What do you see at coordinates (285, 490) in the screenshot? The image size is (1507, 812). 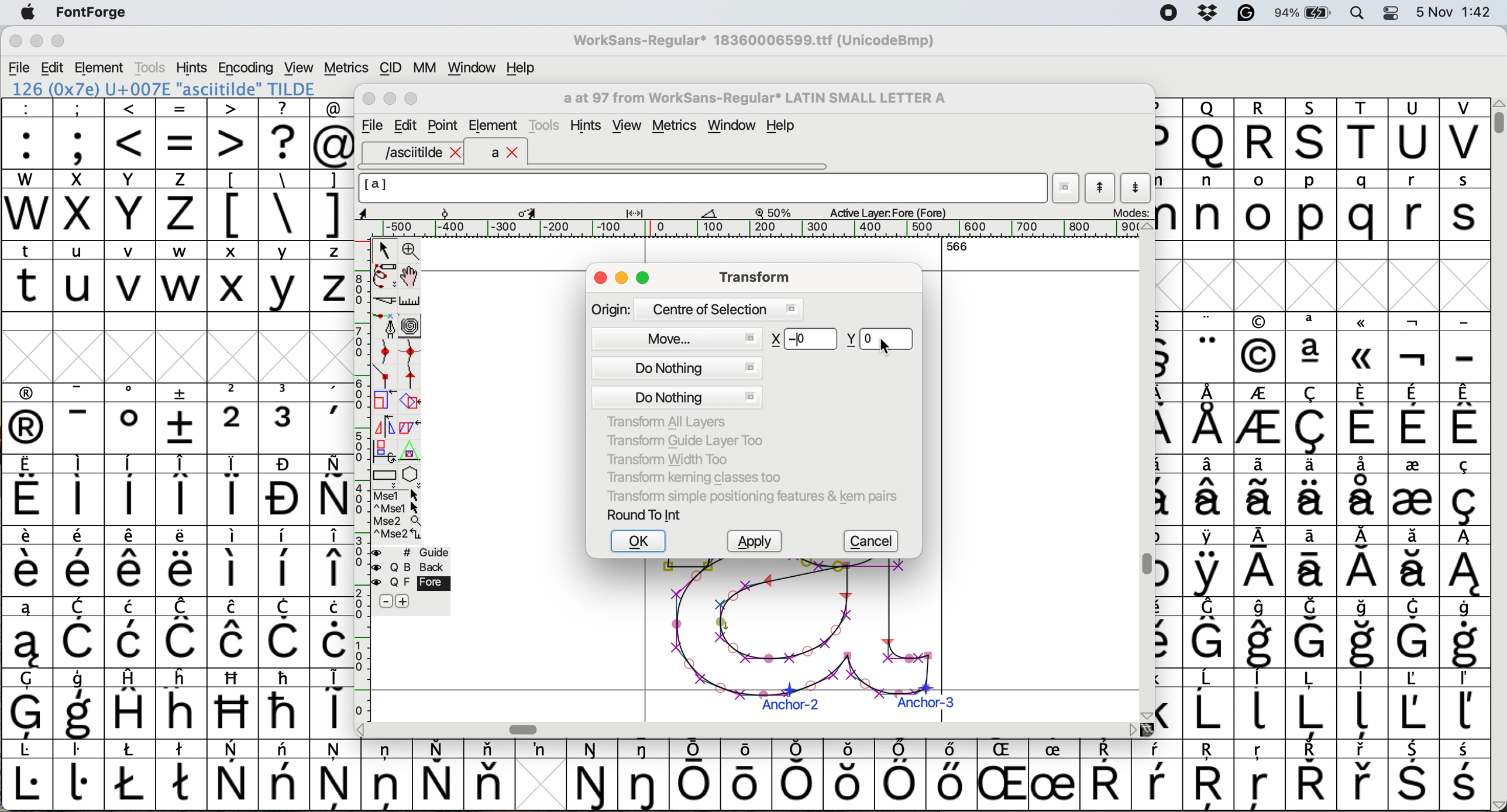 I see `symbol` at bounding box center [285, 490].